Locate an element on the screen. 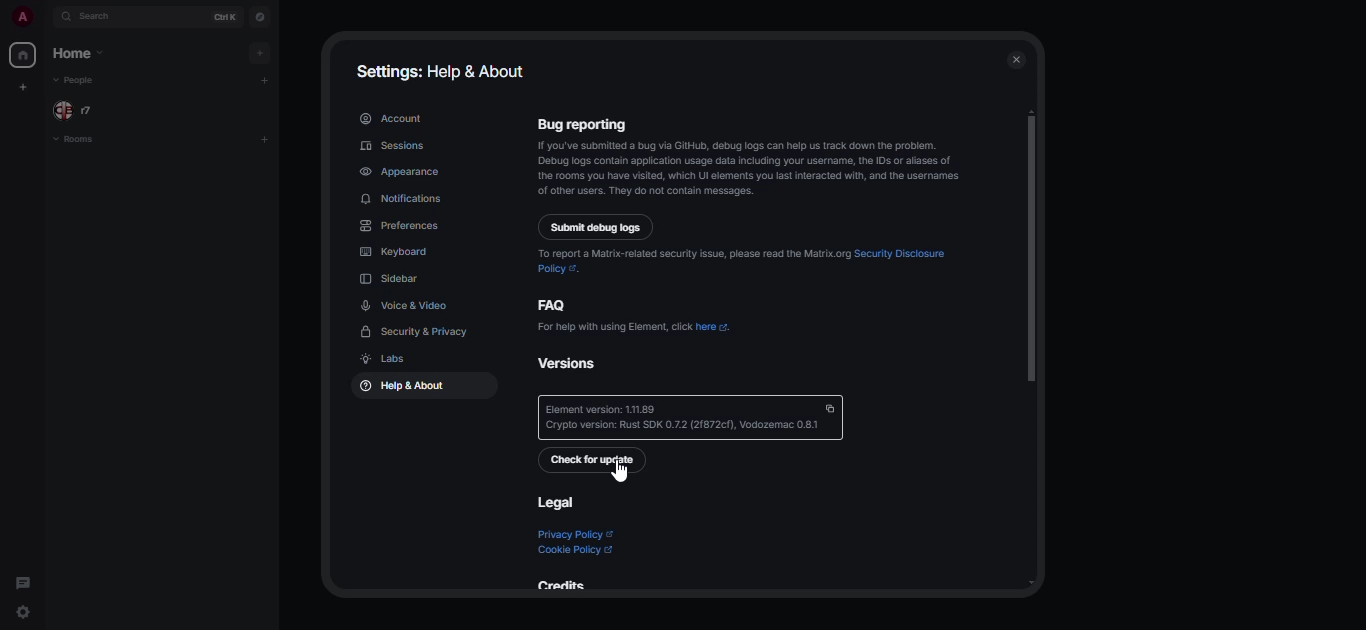 This screenshot has height=630, width=1366. home is located at coordinates (22, 54).